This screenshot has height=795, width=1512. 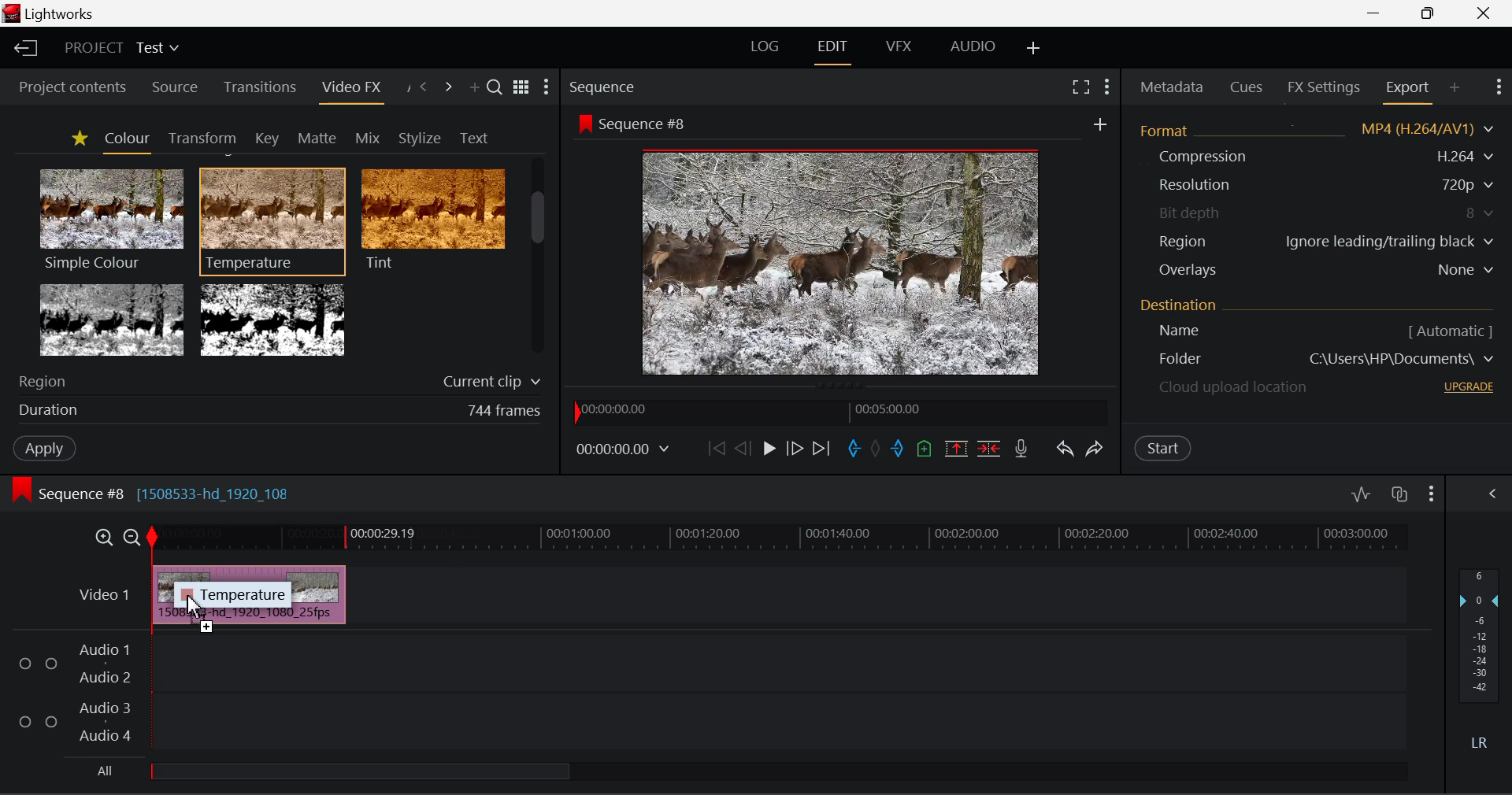 What do you see at coordinates (106, 770) in the screenshot?
I see `All` at bounding box center [106, 770].